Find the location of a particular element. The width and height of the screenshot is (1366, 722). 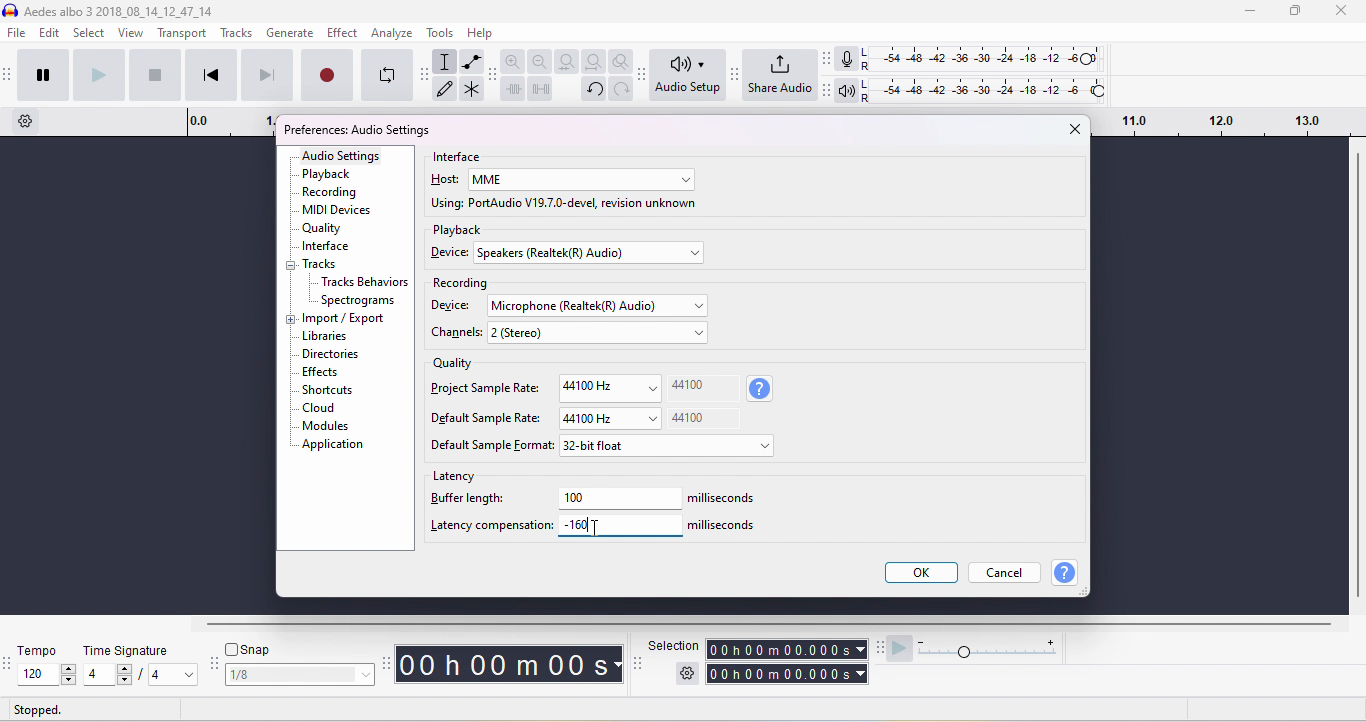

maximize is located at coordinates (1294, 11).